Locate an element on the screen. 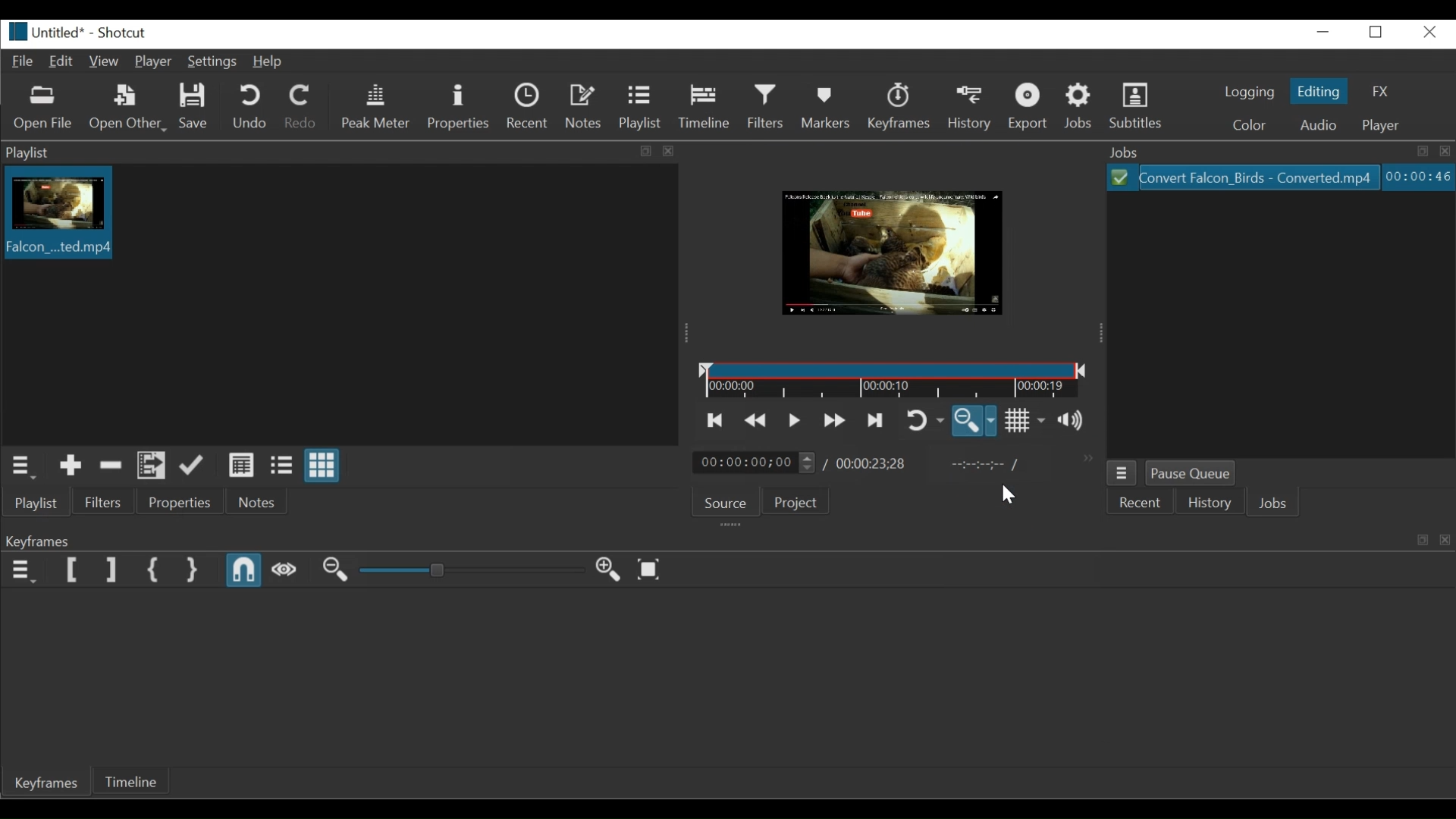 The height and width of the screenshot is (819, 1456). Play quickly forward is located at coordinates (833, 419).